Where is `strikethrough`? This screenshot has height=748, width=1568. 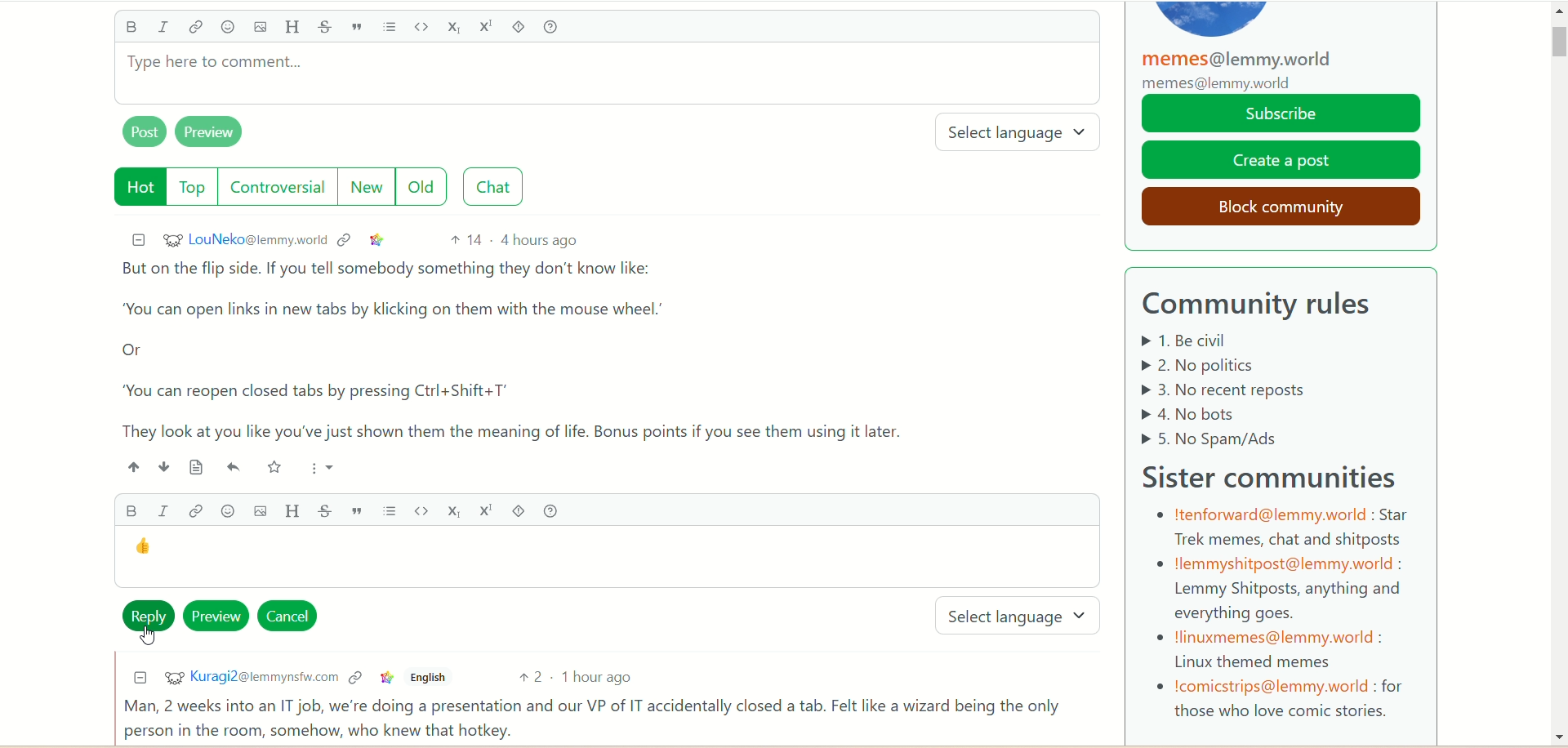 strikethrough is located at coordinates (325, 28).